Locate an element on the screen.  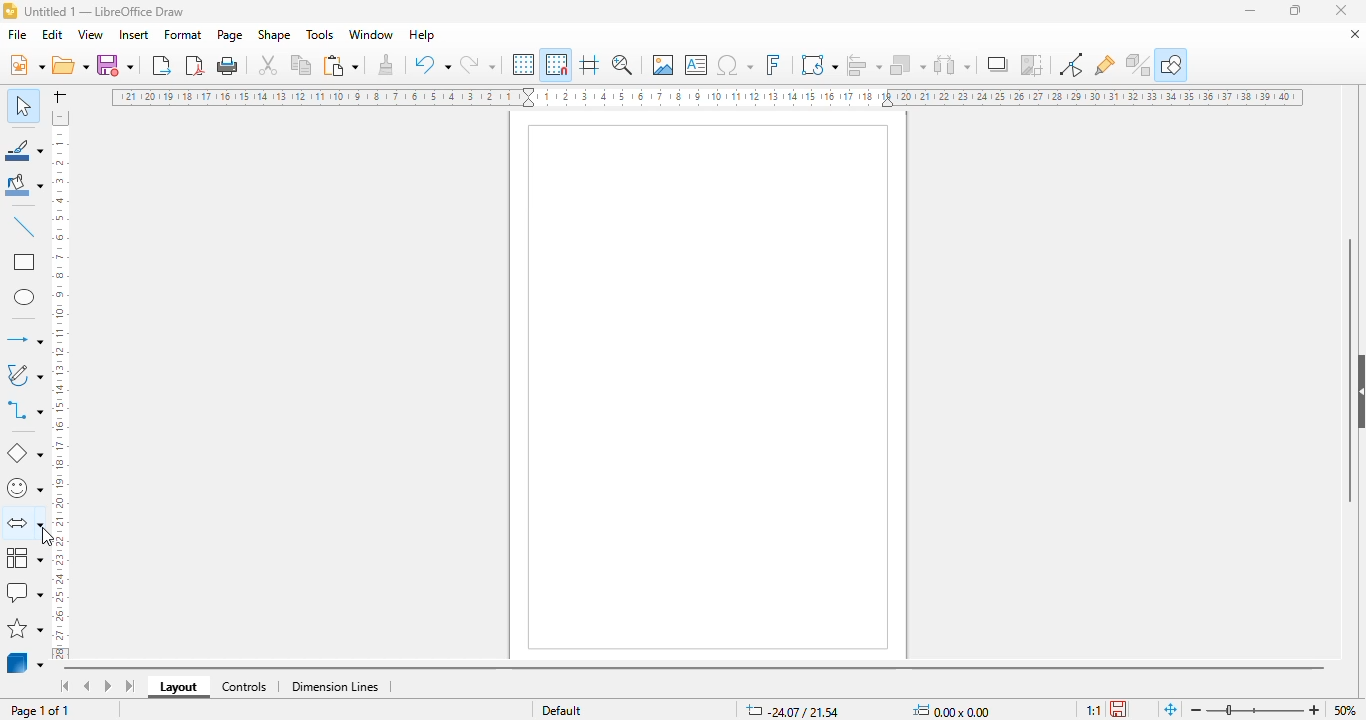
help is located at coordinates (423, 35).